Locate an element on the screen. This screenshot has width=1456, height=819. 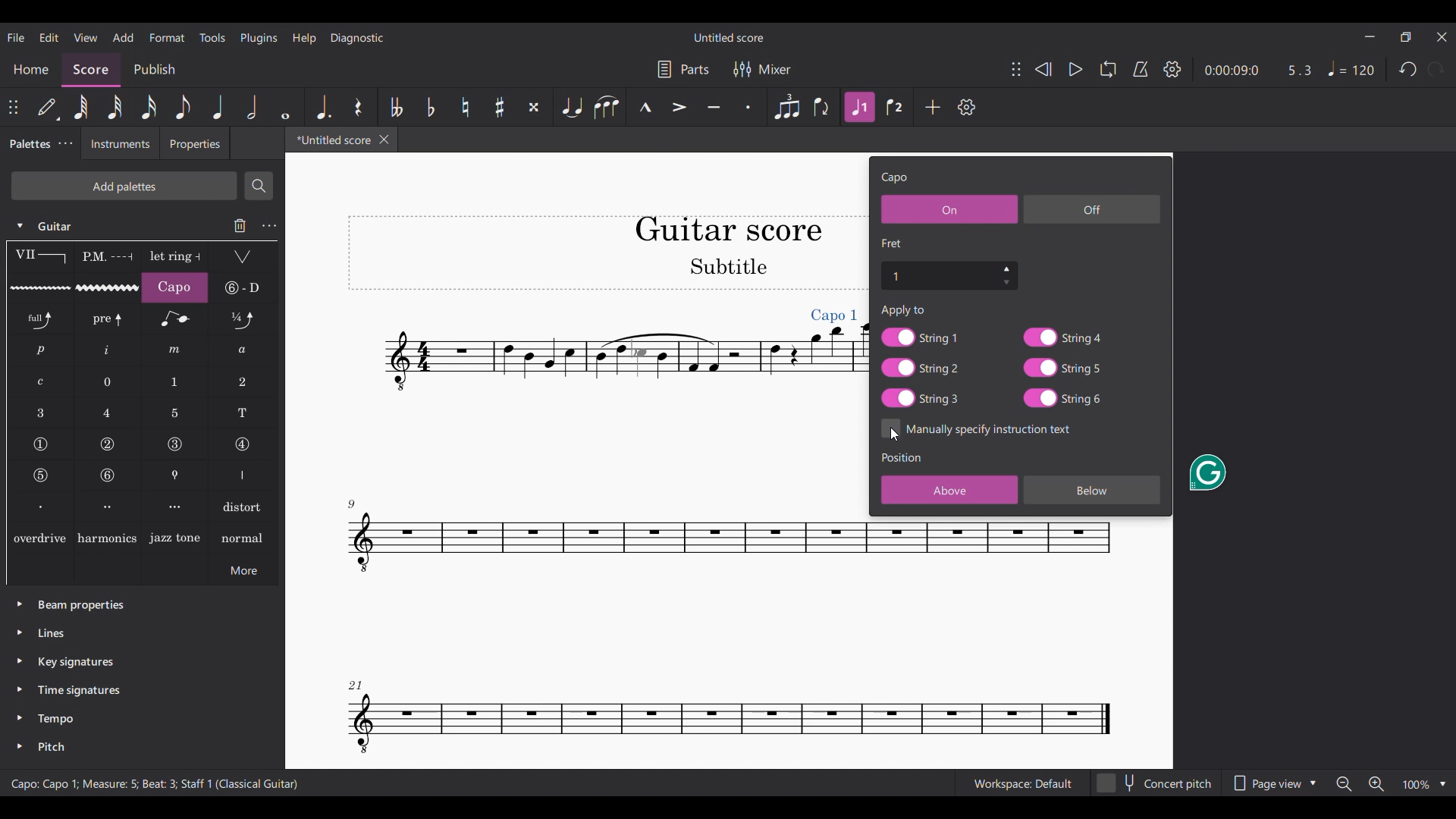
Tuplet is located at coordinates (786, 107).